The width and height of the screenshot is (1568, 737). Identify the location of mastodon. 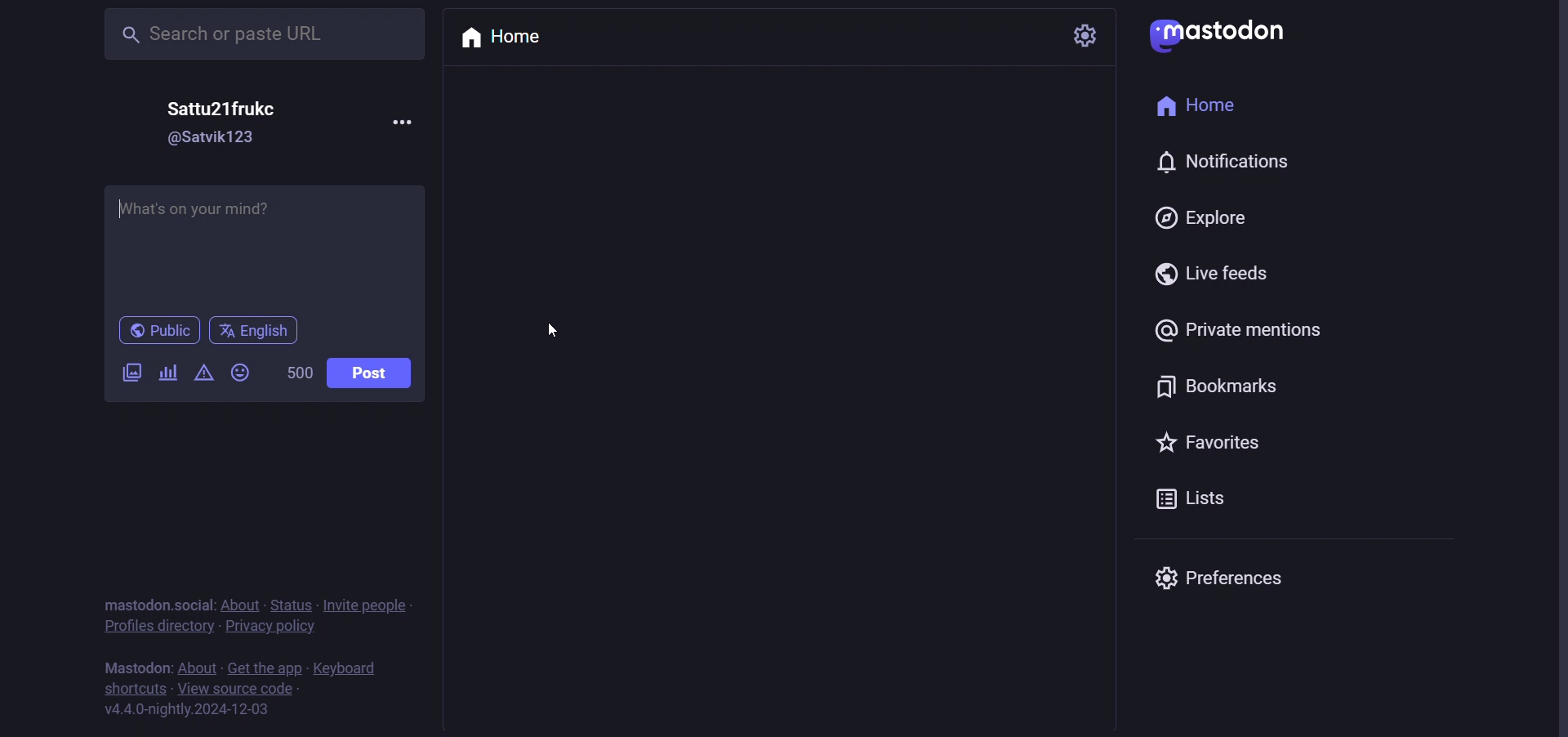
(1218, 37).